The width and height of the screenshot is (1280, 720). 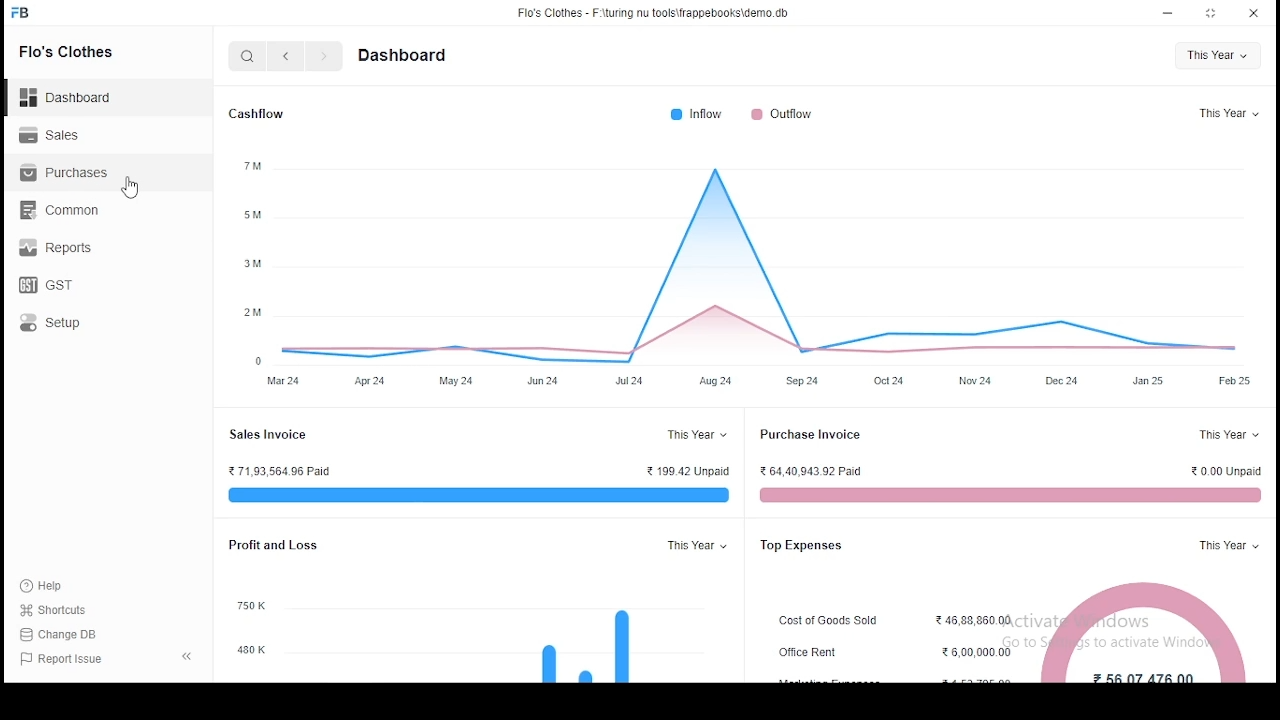 I want to click on top expenses, so click(x=810, y=546).